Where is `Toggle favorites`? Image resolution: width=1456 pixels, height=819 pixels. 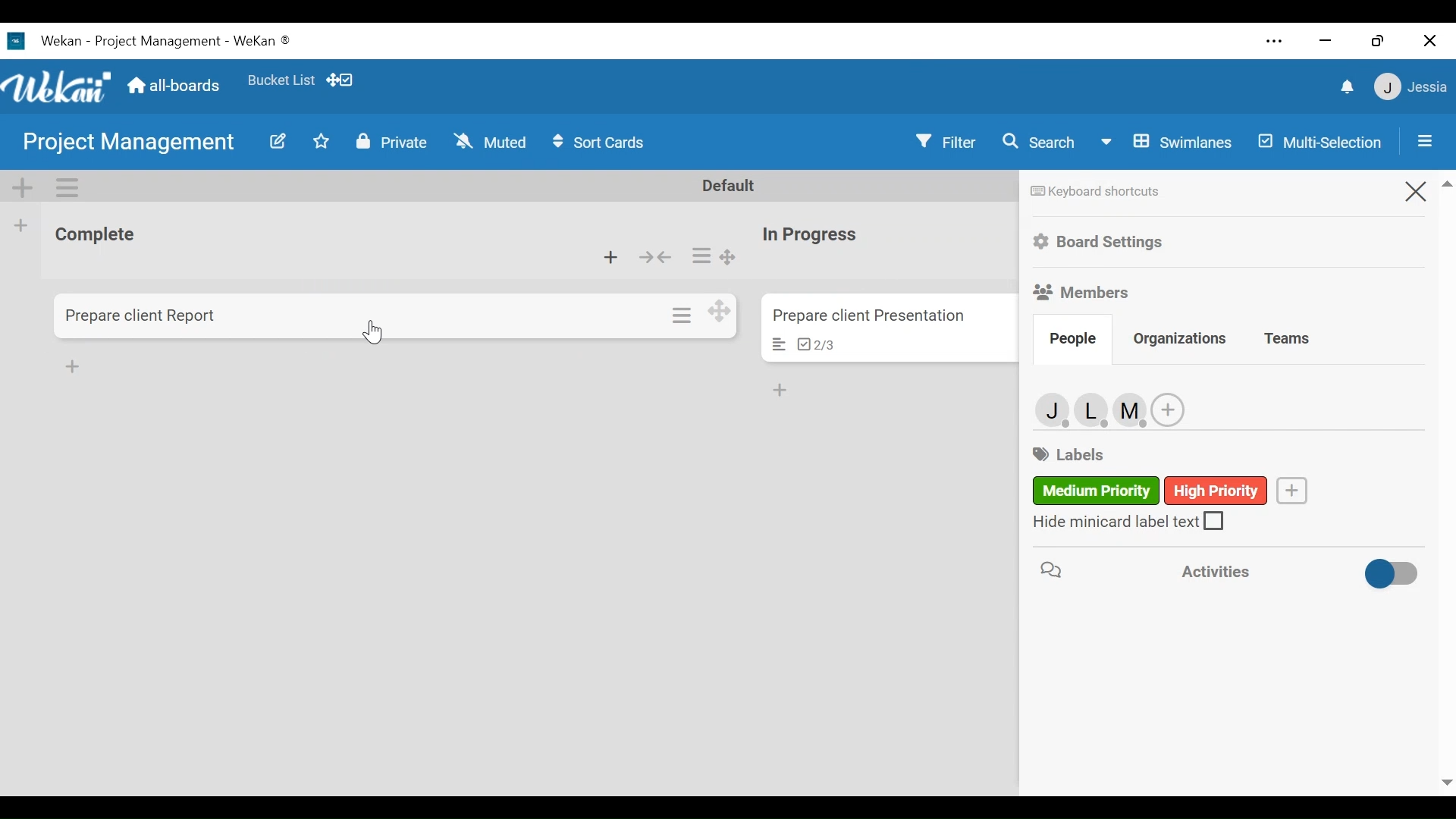 Toggle favorites is located at coordinates (322, 142).